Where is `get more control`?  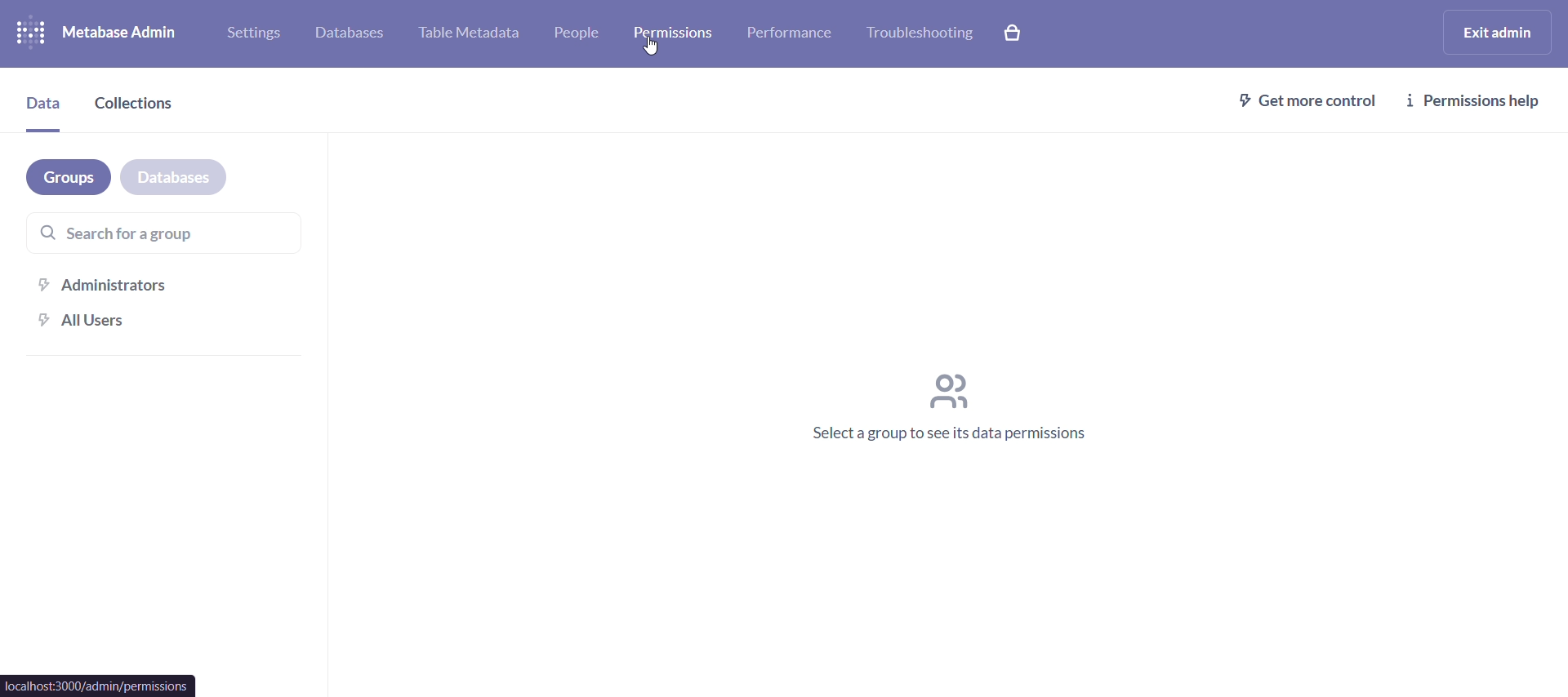
get more control is located at coordinates (1308, 101).